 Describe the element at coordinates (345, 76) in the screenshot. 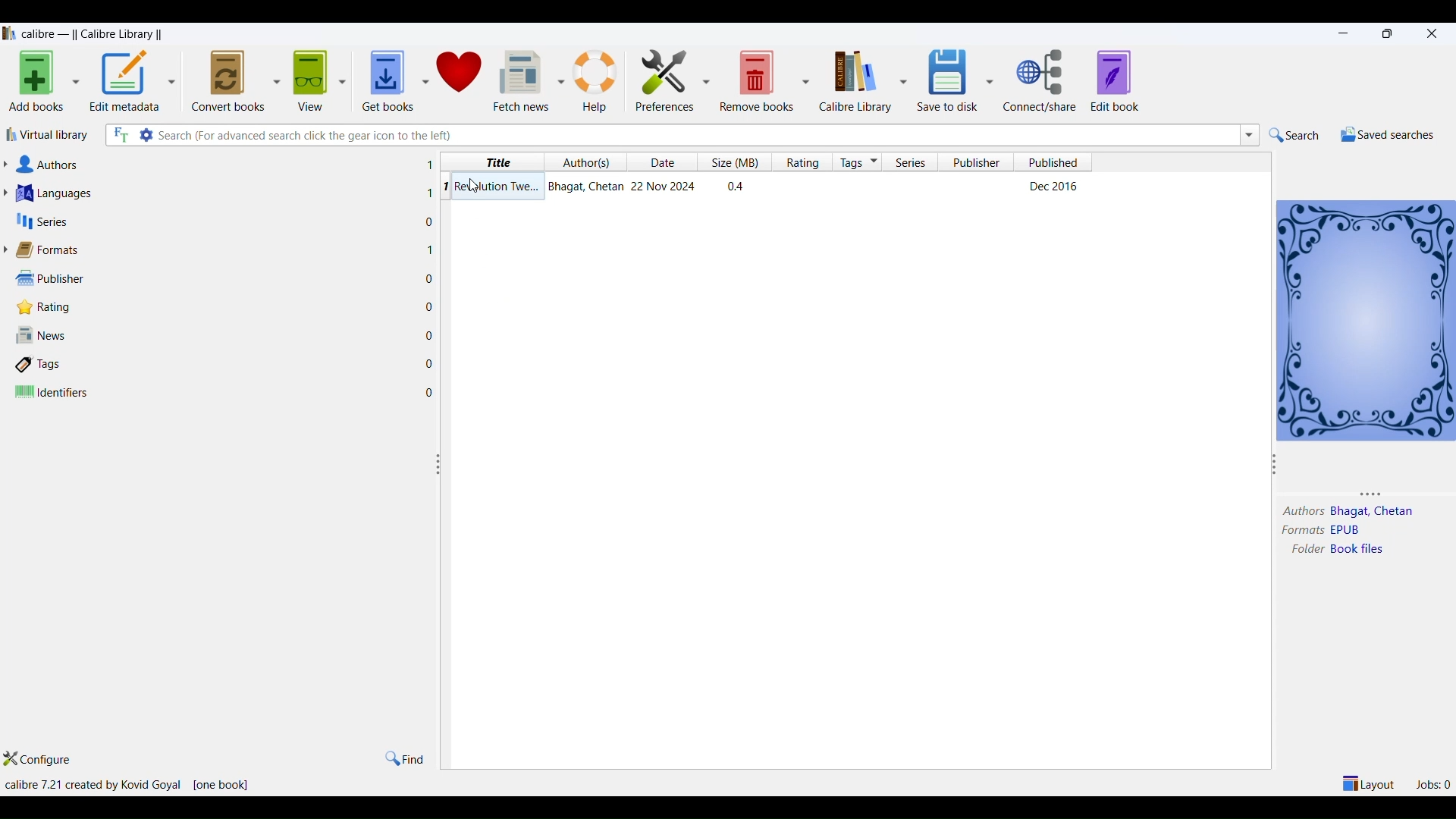

I see `view options dropdown button` at that location.